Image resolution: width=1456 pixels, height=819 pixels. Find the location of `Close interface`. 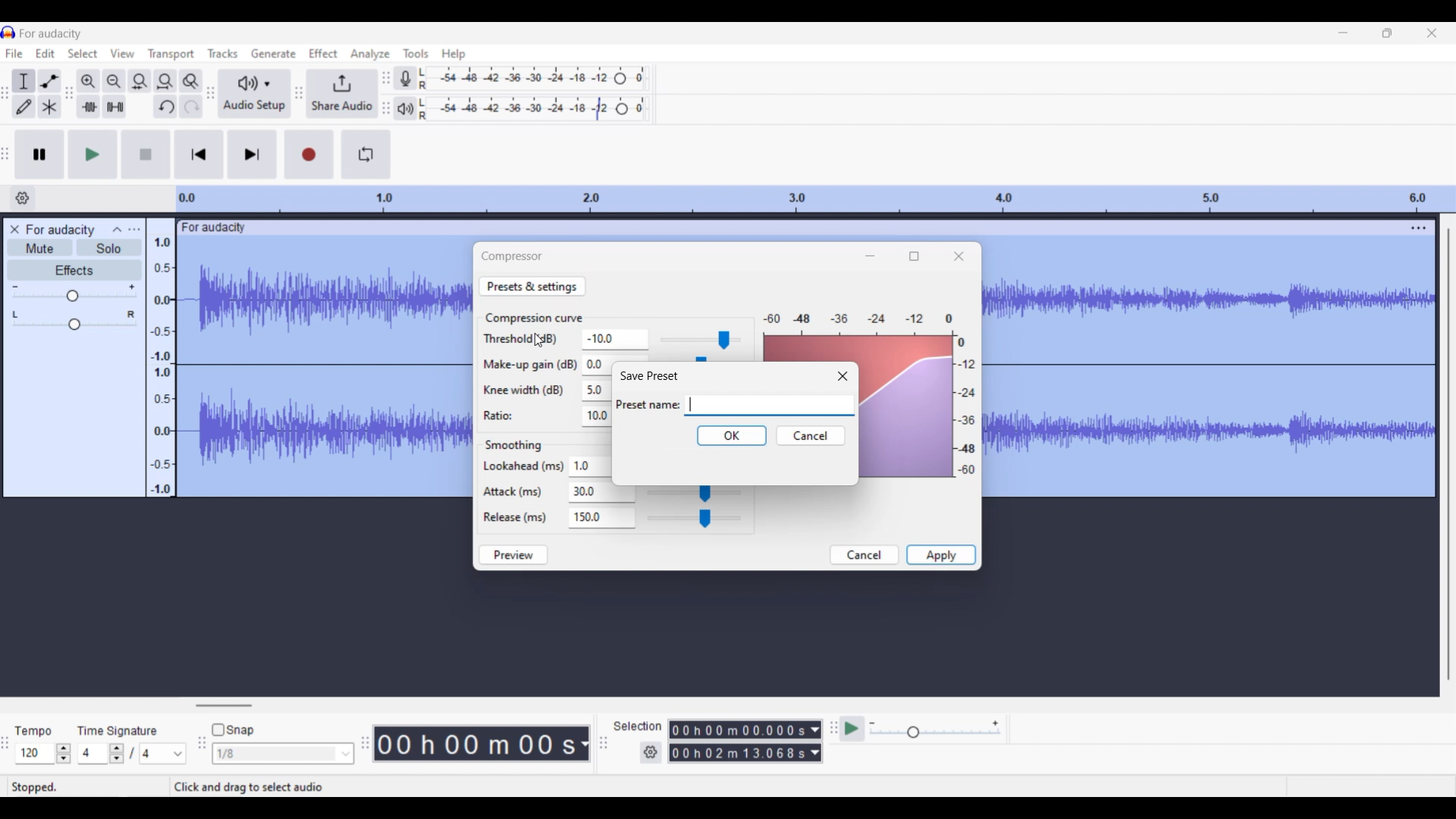

Close interface is located at coordinates (1432, 33).